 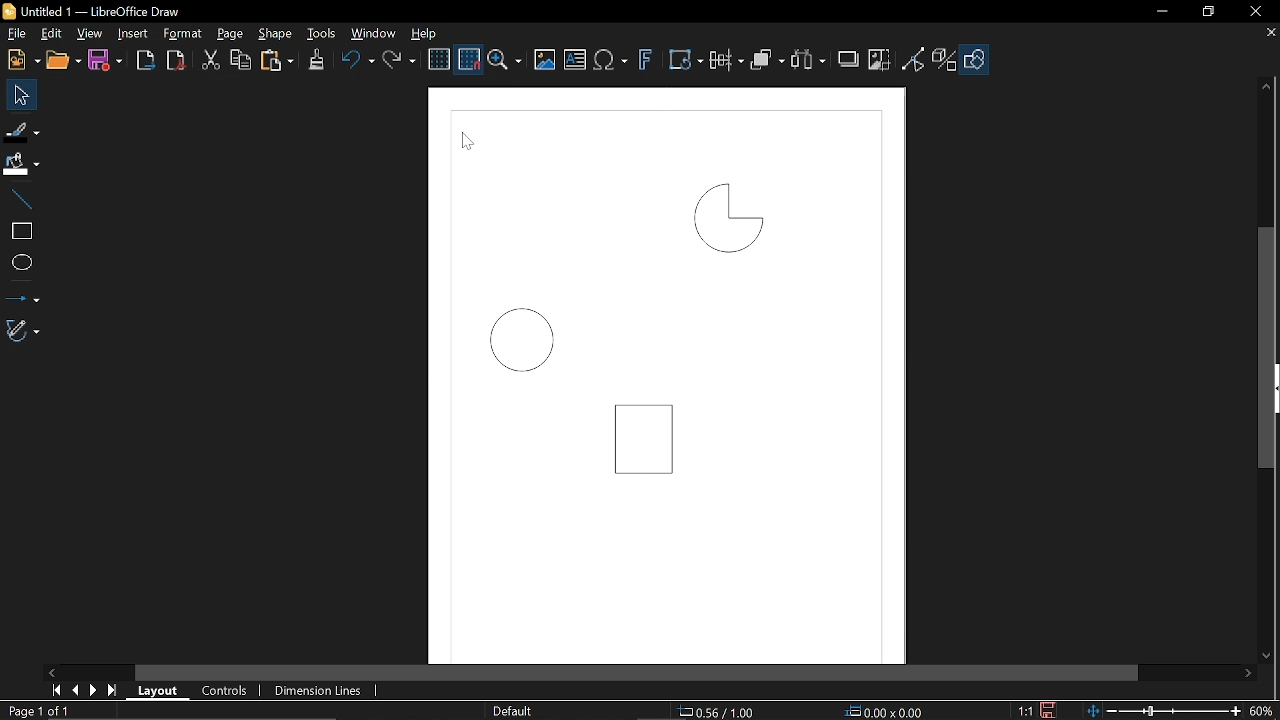 What do you see at coordinates (1250, 12) in the screenshot?
I see `Close window` at bounding box center [1250, 12].